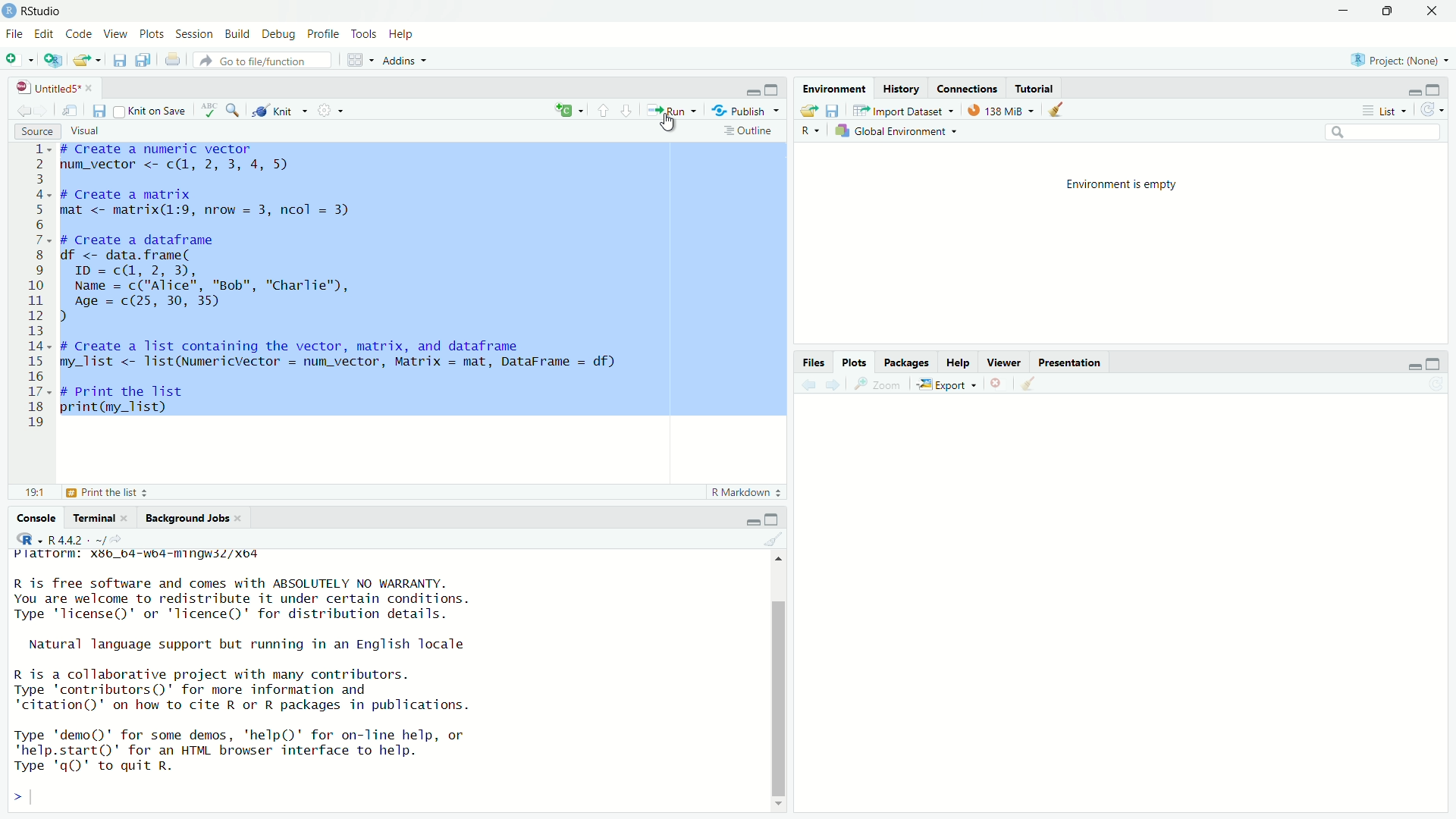 This screenshot has height=819, width=1456. Describe the element at coordinates (1041, 87) in the screenshot. I see `Tutorial` at that location.